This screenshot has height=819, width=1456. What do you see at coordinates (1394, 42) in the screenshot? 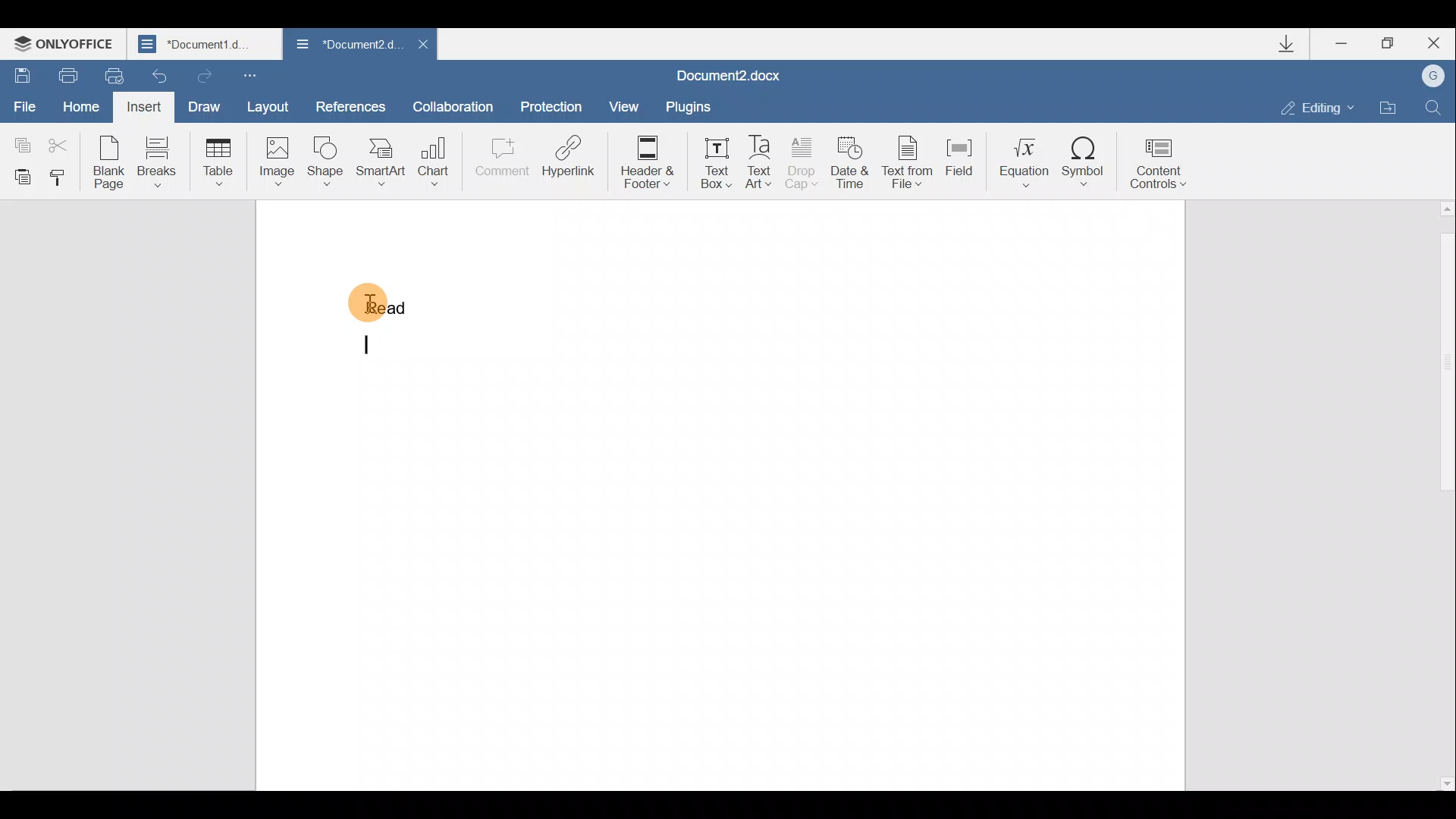
I see `Maximize` at bounding box center [1394, 42].